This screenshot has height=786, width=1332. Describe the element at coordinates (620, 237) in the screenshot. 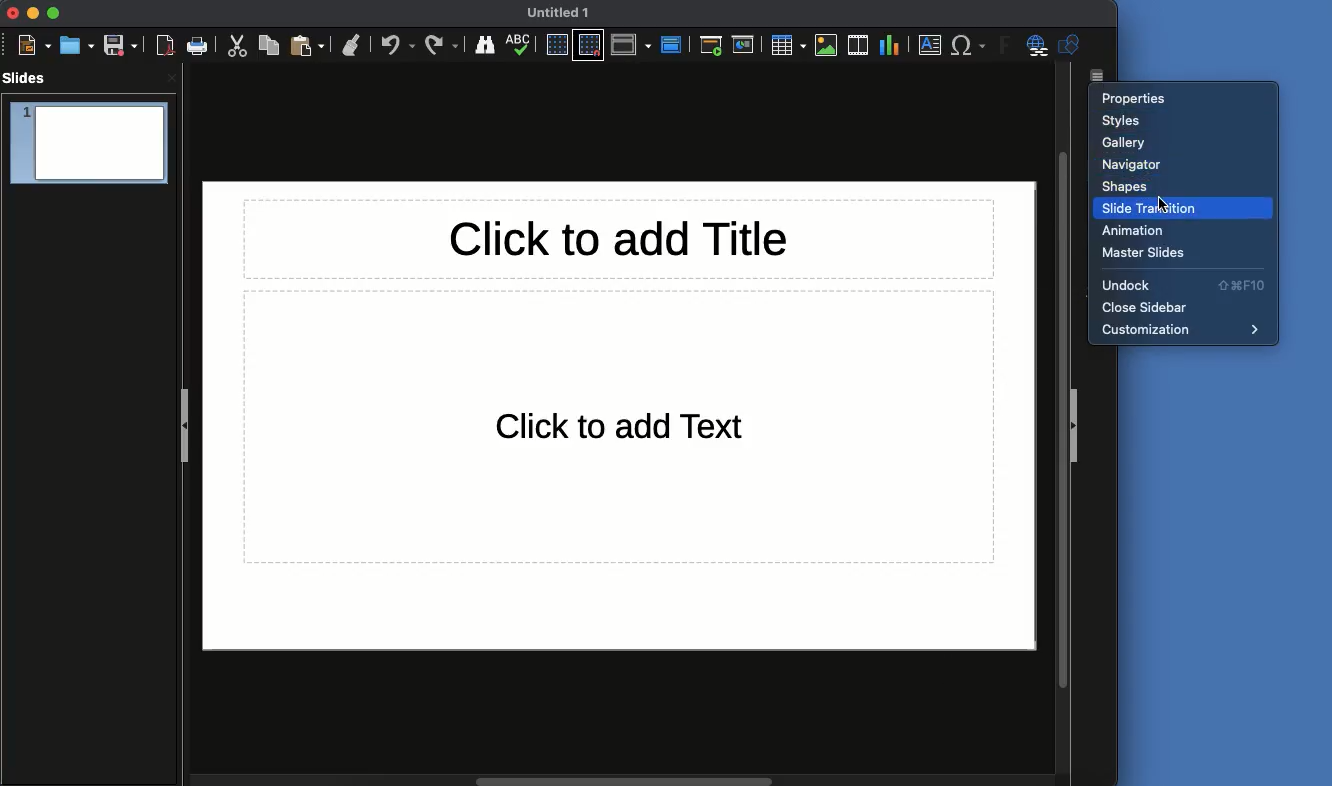

I see `Title` at that location.